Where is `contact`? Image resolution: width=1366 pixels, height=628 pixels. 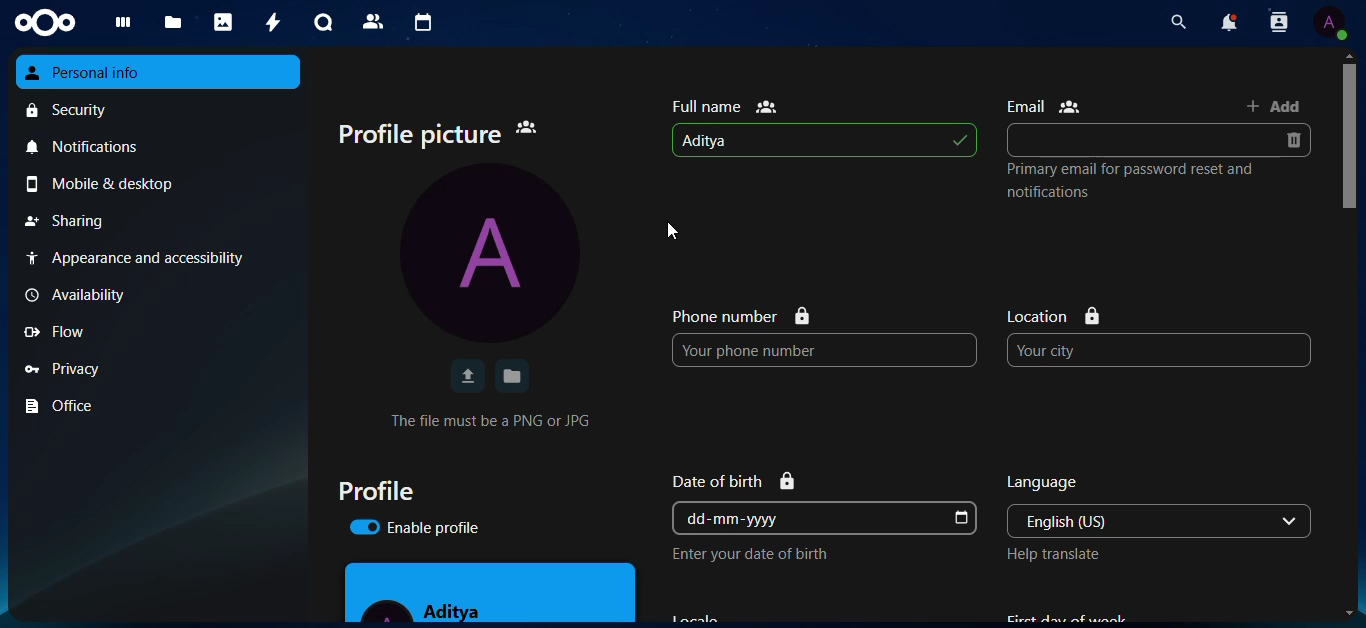 contact is located at coordinates (1278, 22).